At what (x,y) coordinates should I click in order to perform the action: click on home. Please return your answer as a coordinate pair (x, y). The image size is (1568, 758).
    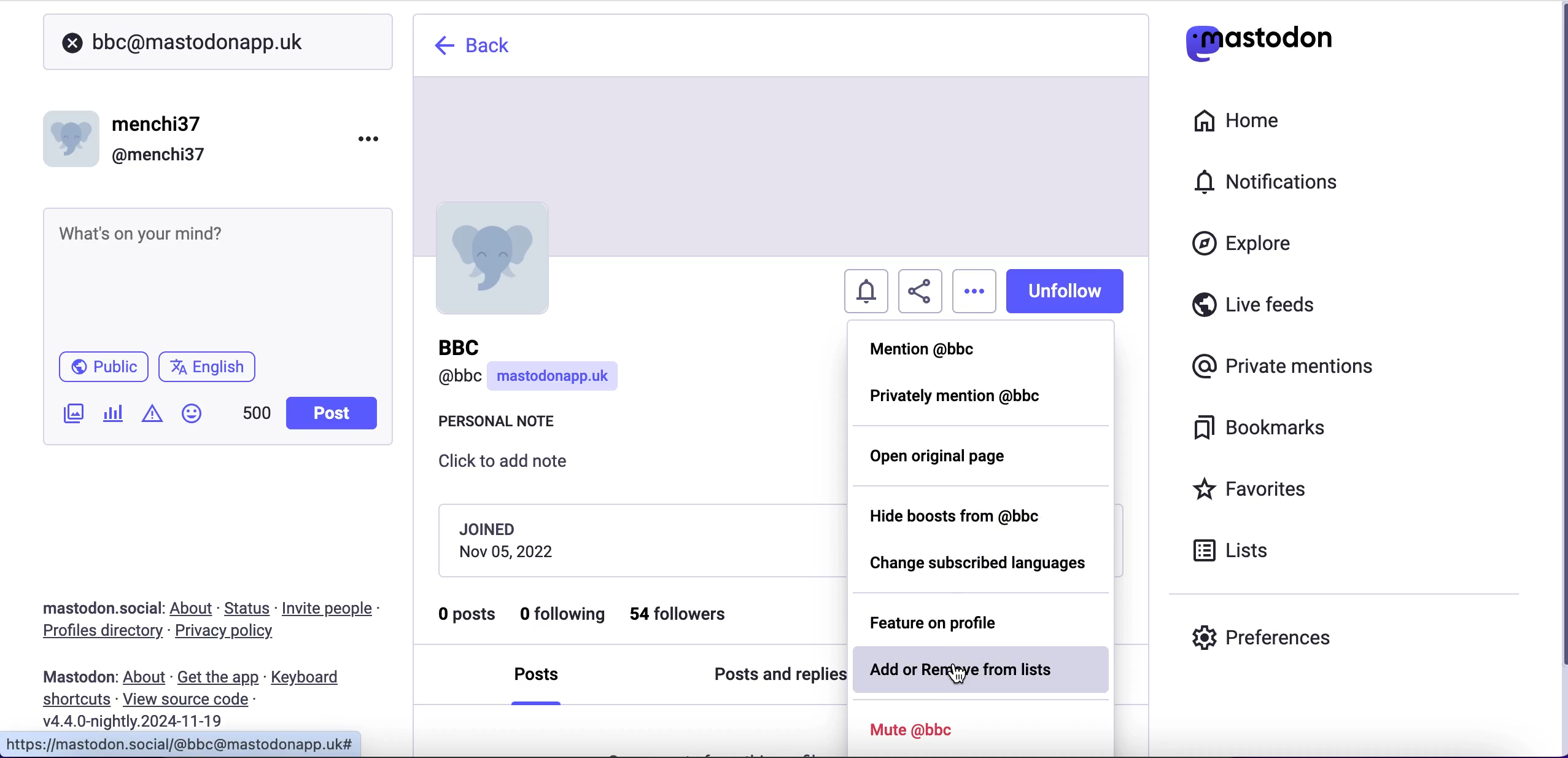
    Looking at the image, I should click on (1234, 121).